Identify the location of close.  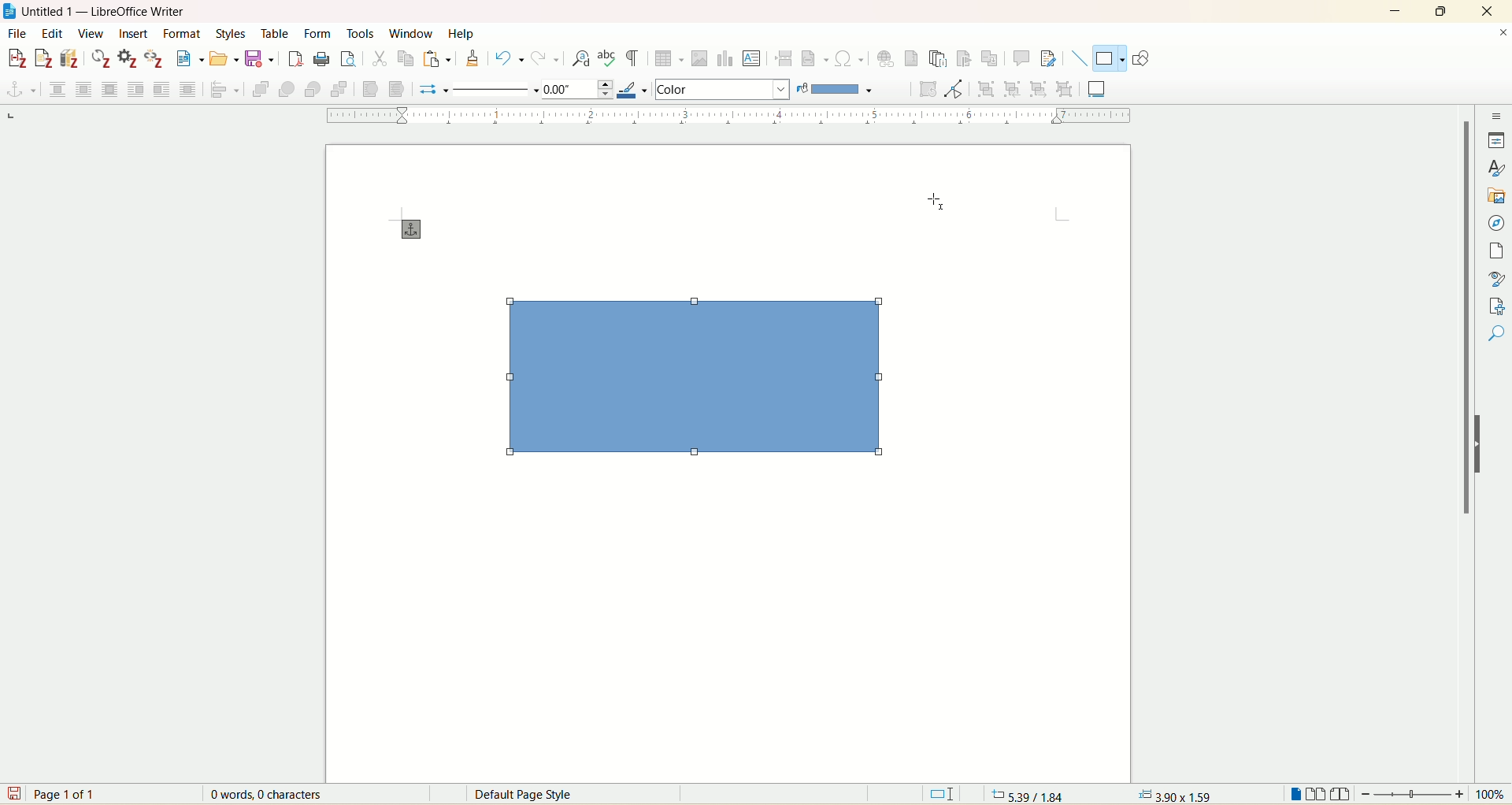
(1485, 12).